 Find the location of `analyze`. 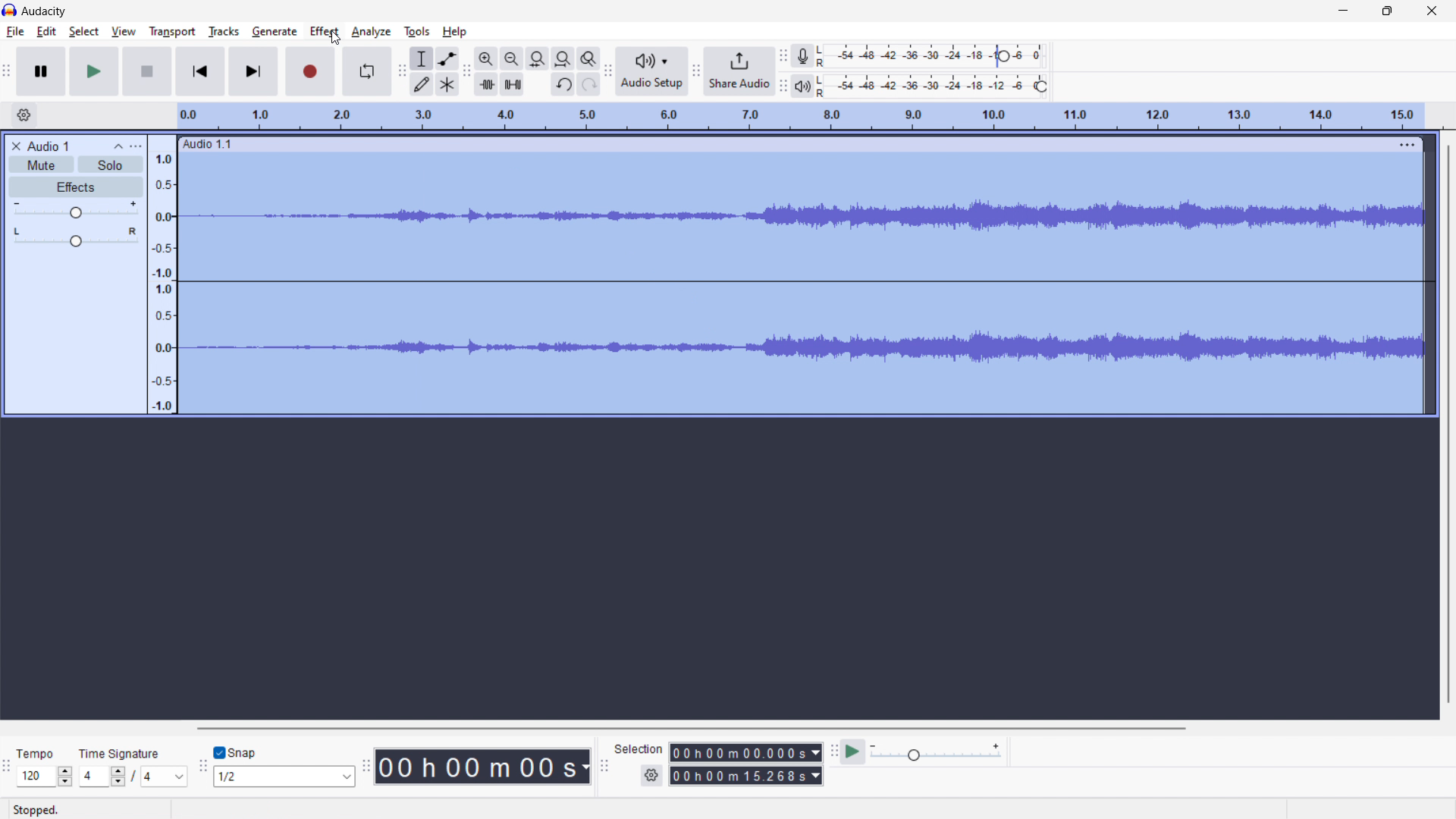

analyze is located at coordinates (372, 32).